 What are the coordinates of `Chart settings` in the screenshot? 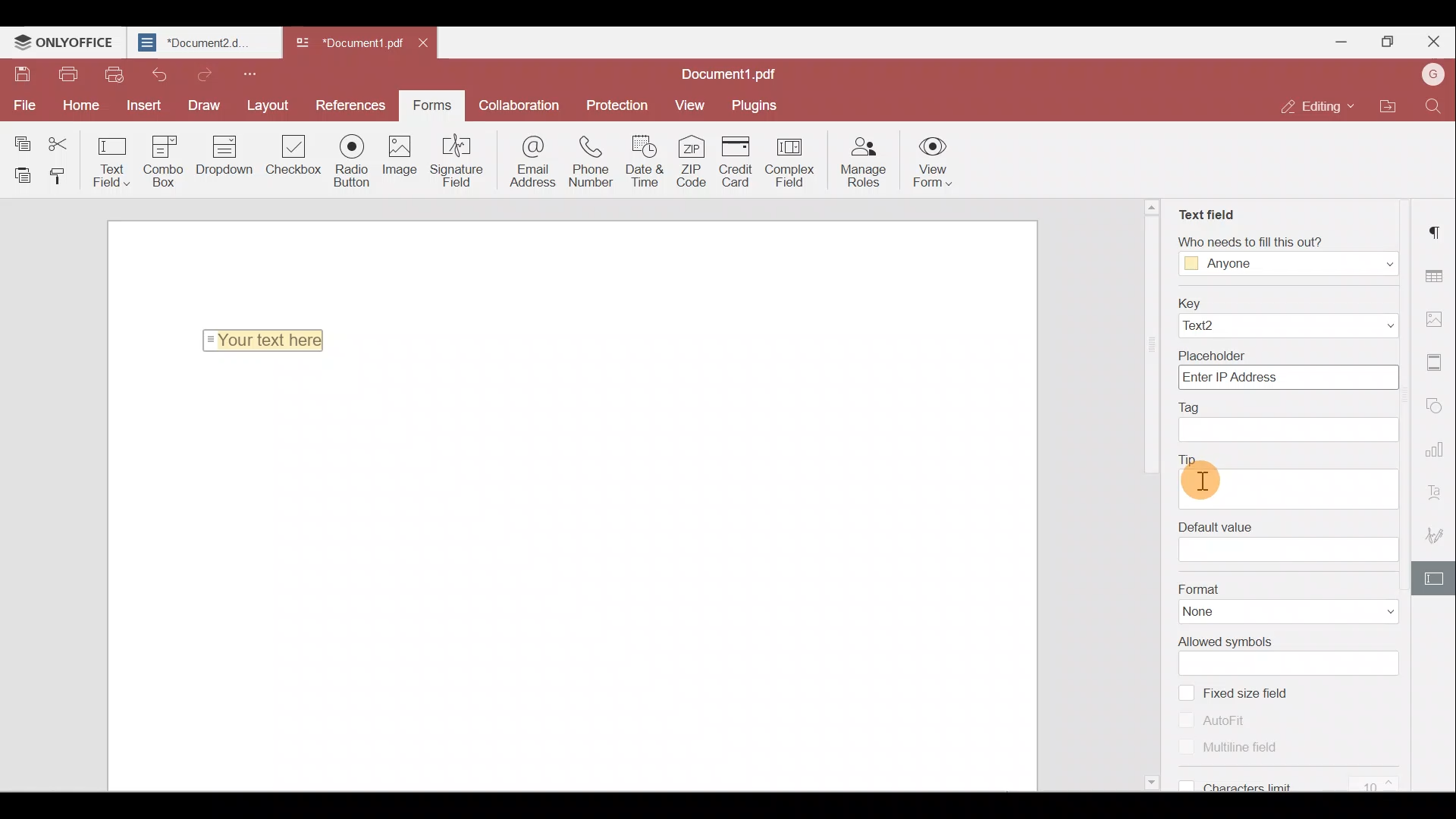 It's located at (1437, 448).